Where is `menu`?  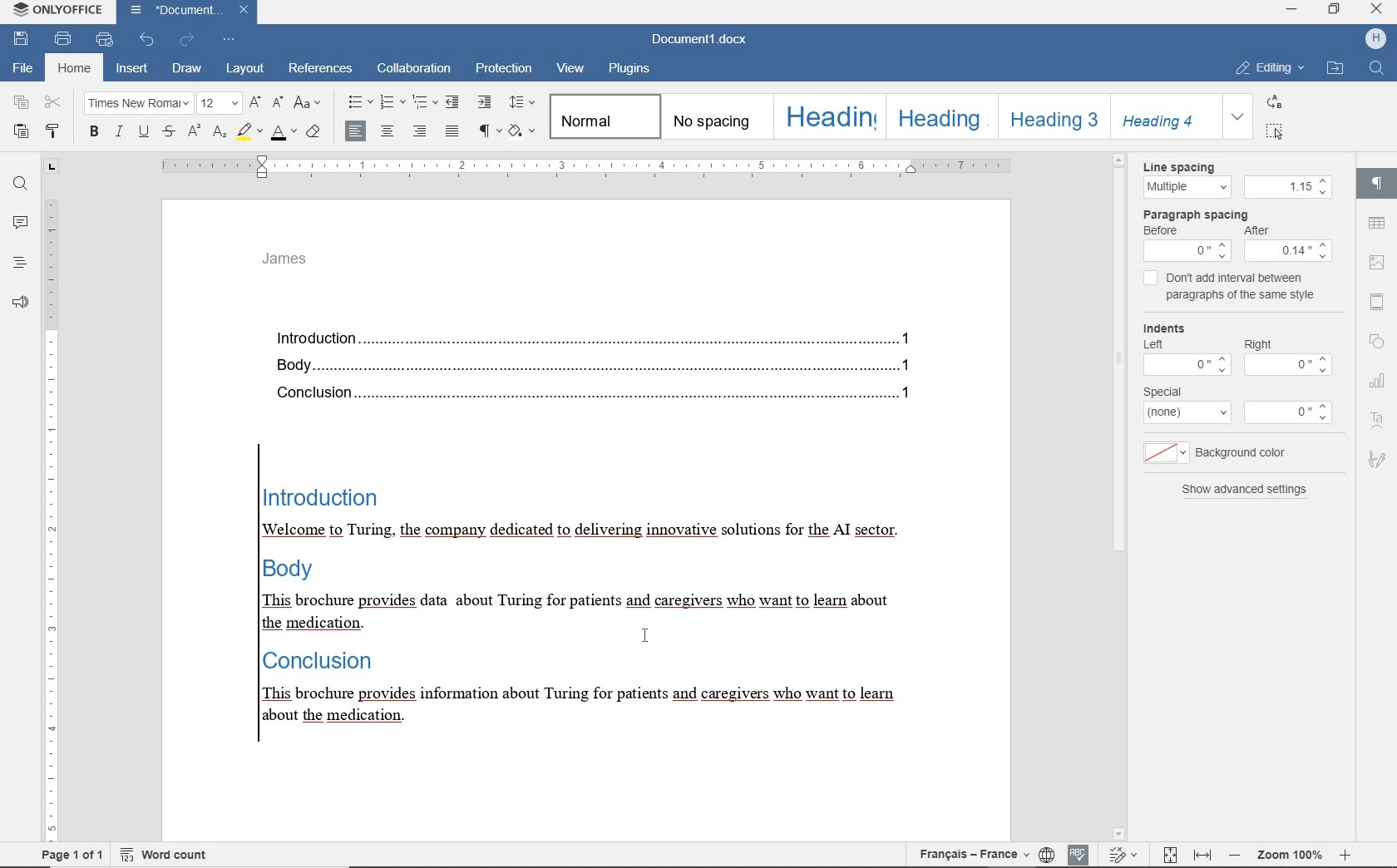 menu is located at coordinates (1290, 250).